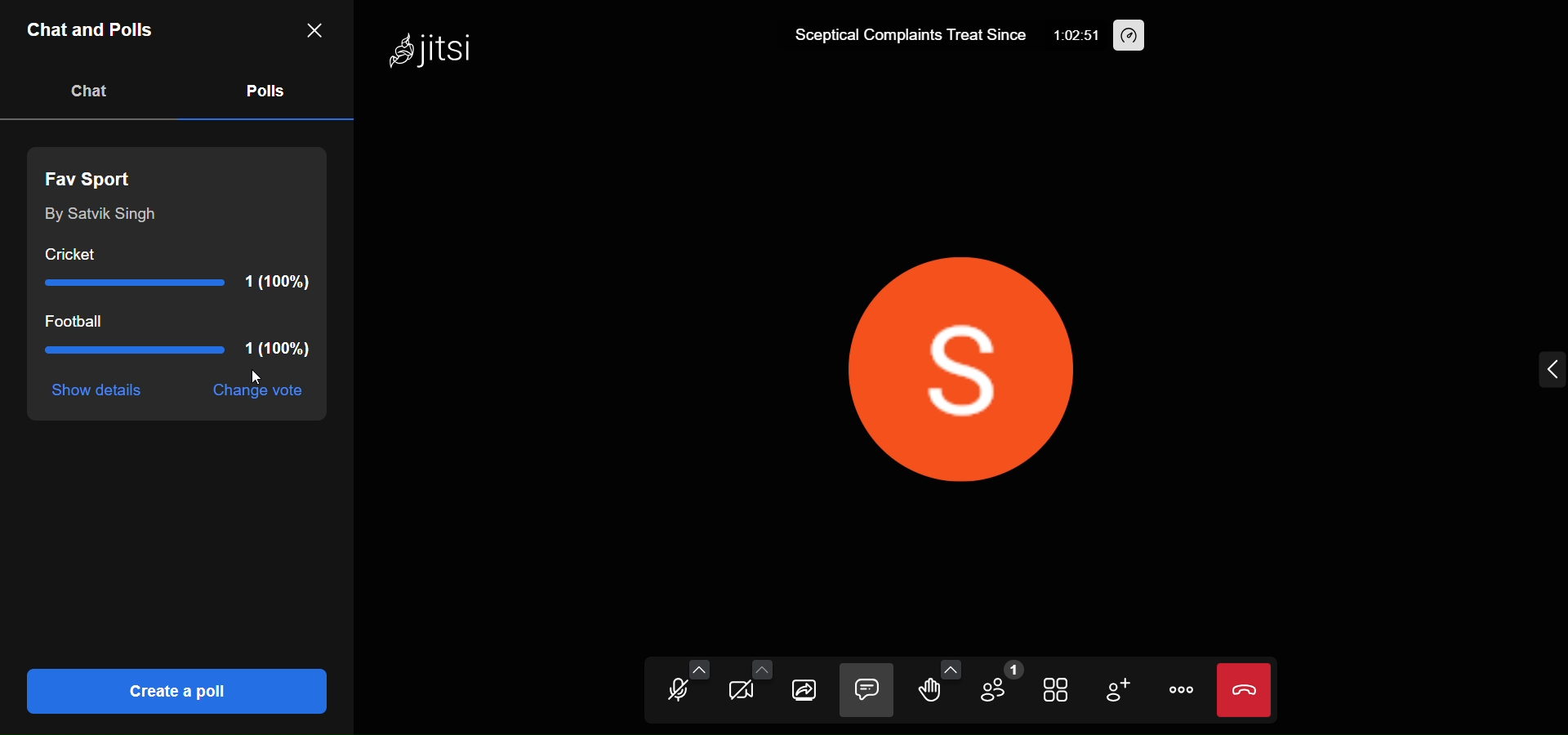  What do you see at coordinates (1131, 36) in the screenshot?
I see `performance setting` at bounding box center [1131, 36].